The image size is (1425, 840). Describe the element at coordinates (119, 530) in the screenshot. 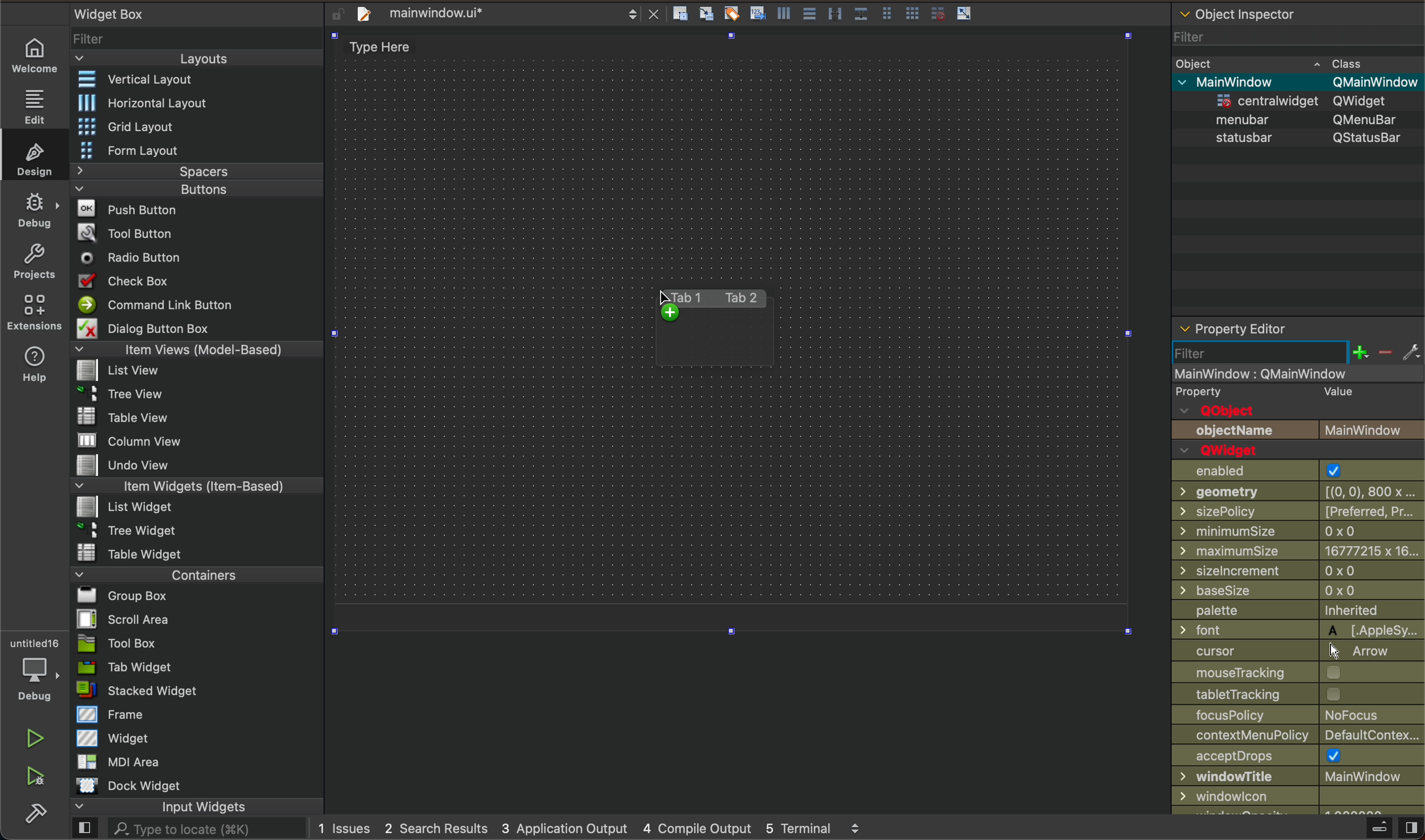

I see `~ 3 Tree Widget` at that location.